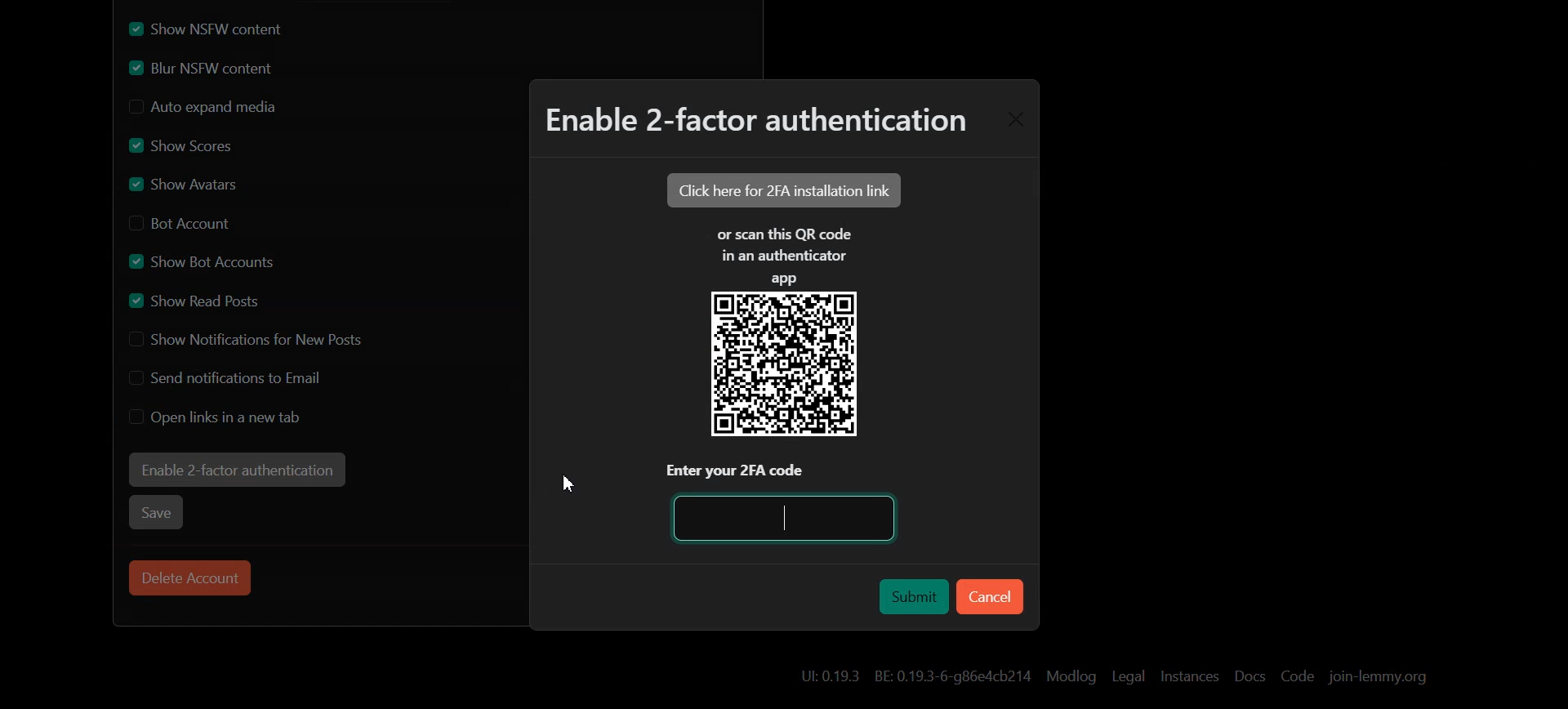 Image resolution: width=1568 pixels, height=709 pixels. I want to click on Enable Blur NSFW content, so click(229, 69).